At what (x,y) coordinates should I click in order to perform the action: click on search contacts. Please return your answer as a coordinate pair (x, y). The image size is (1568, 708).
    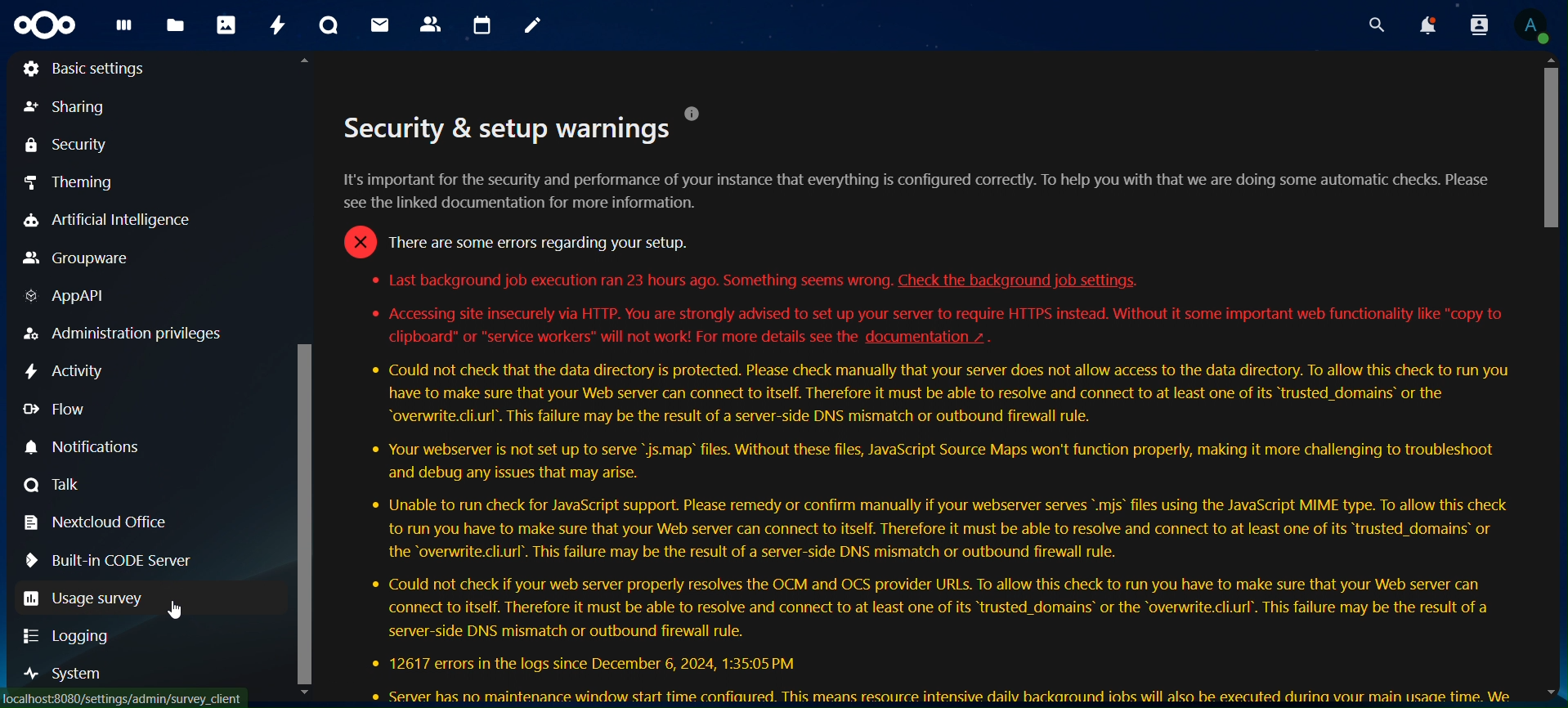
    Looking at the image, I should click on (1479, 25).